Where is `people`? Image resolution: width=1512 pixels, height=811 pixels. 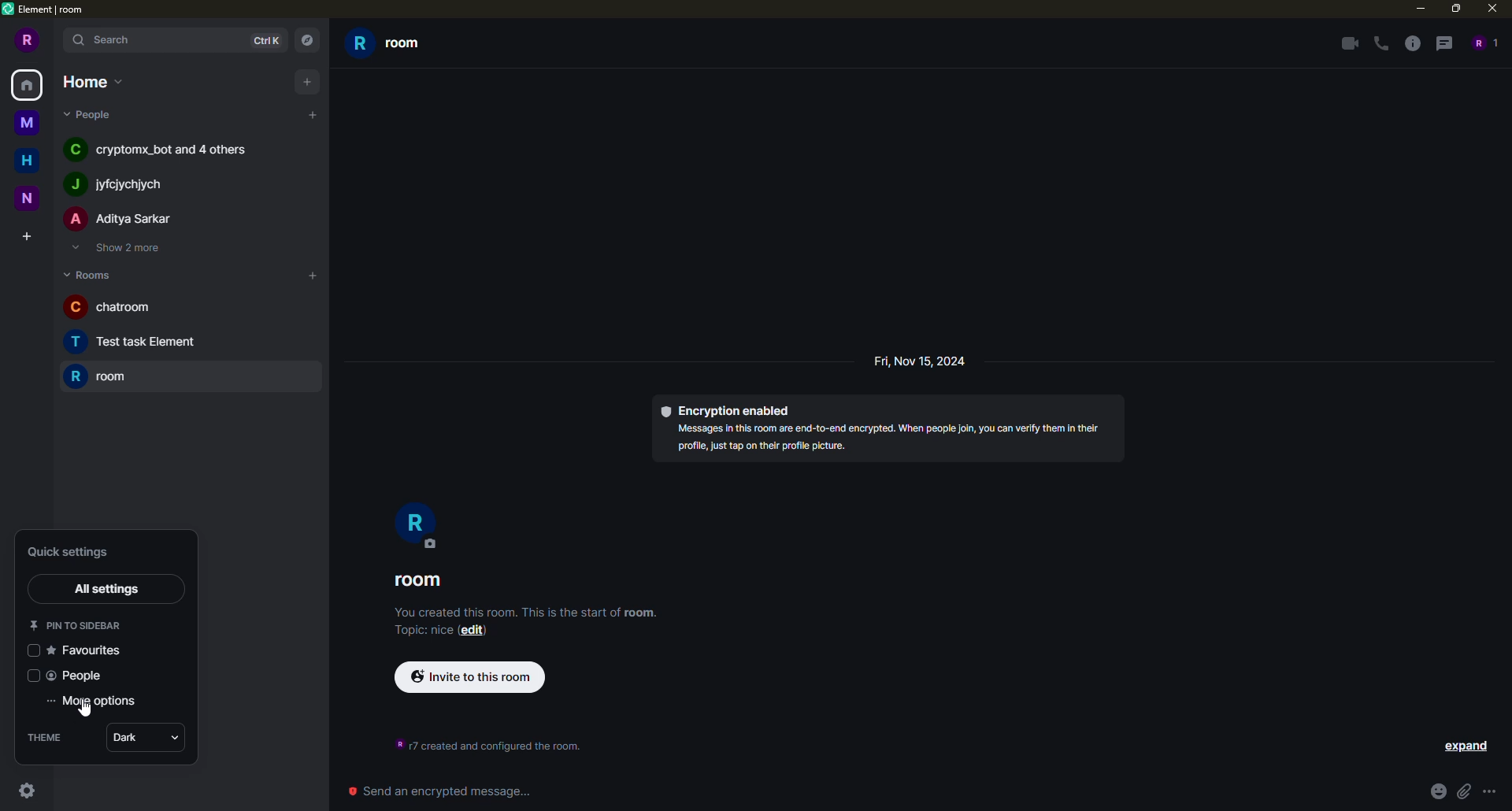 people is located at coordinates (83, 676).